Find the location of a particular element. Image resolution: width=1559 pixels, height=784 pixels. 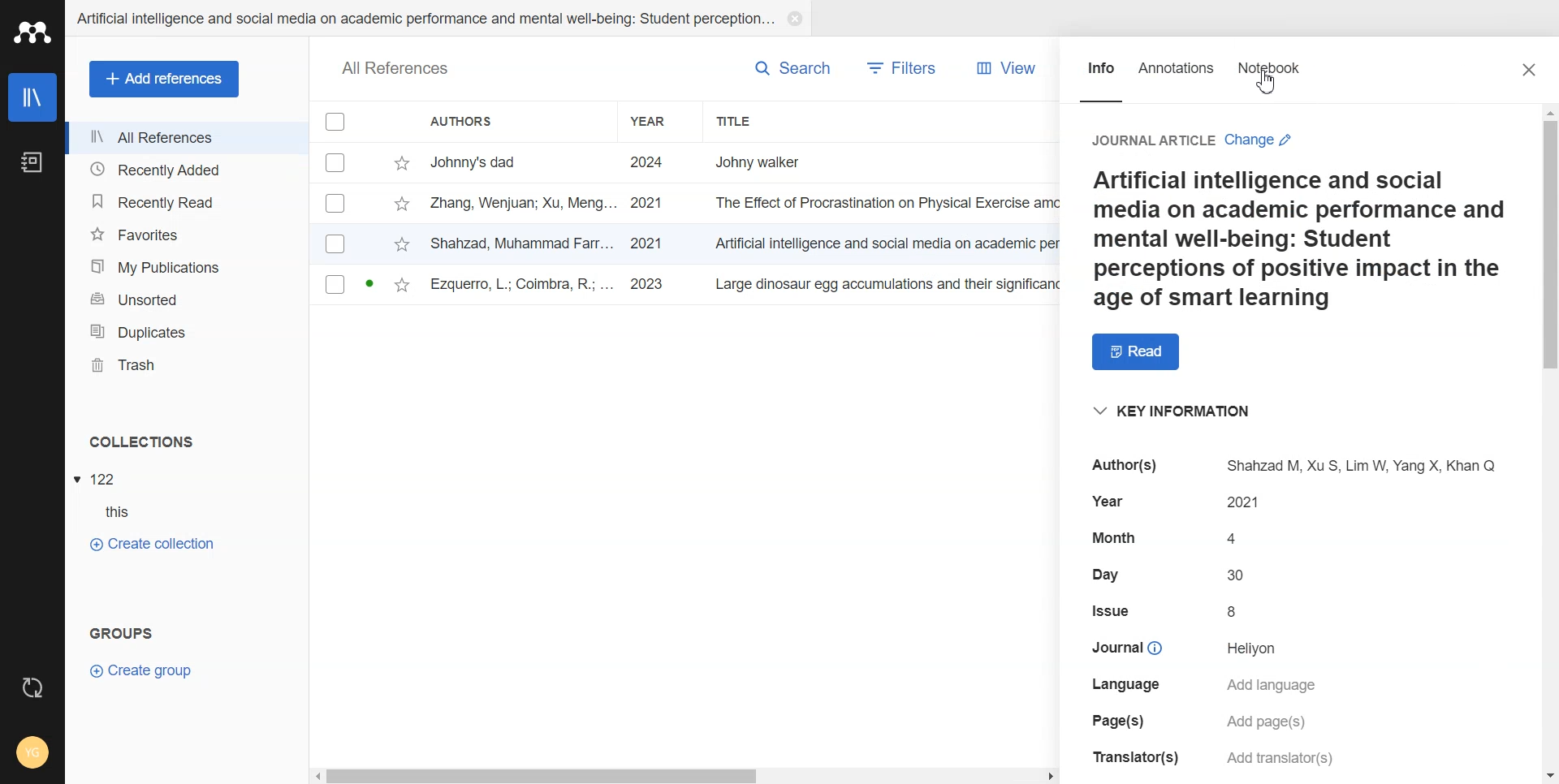

star is located at coordinates (402, 246).